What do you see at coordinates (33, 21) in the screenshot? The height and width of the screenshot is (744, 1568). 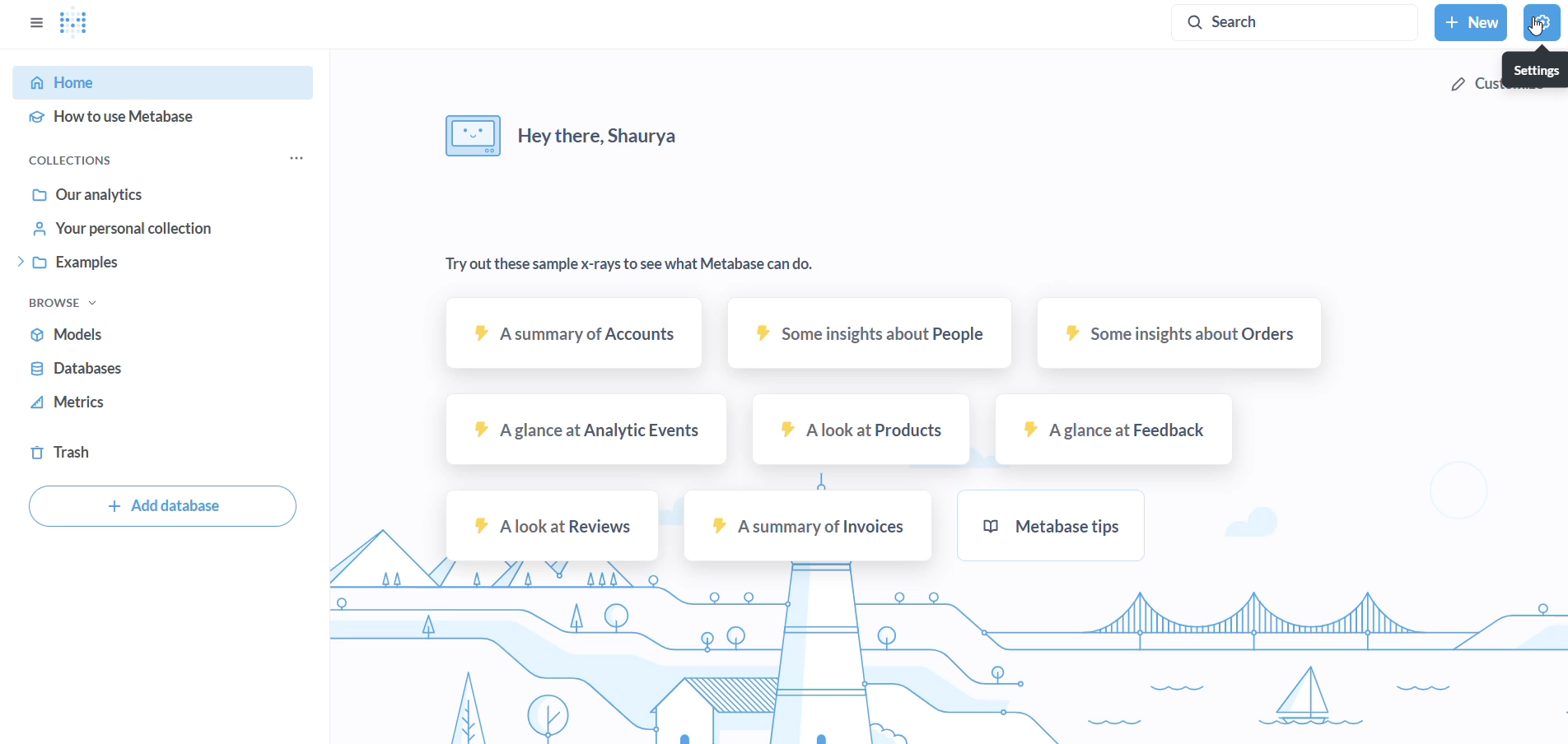 I see `sidebar` at bounding box center [33, 21].